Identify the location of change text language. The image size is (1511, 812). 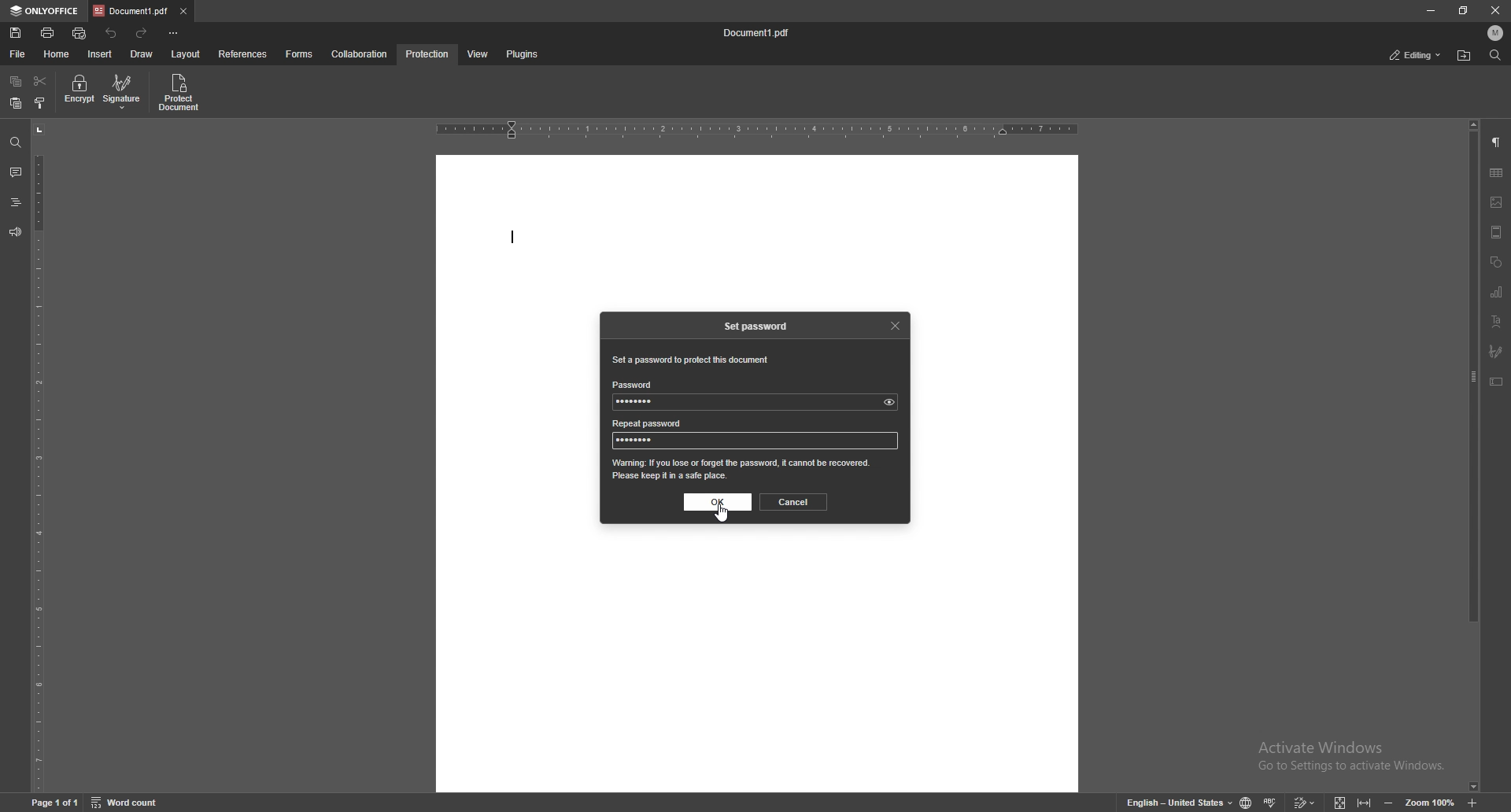
(1180, 801).